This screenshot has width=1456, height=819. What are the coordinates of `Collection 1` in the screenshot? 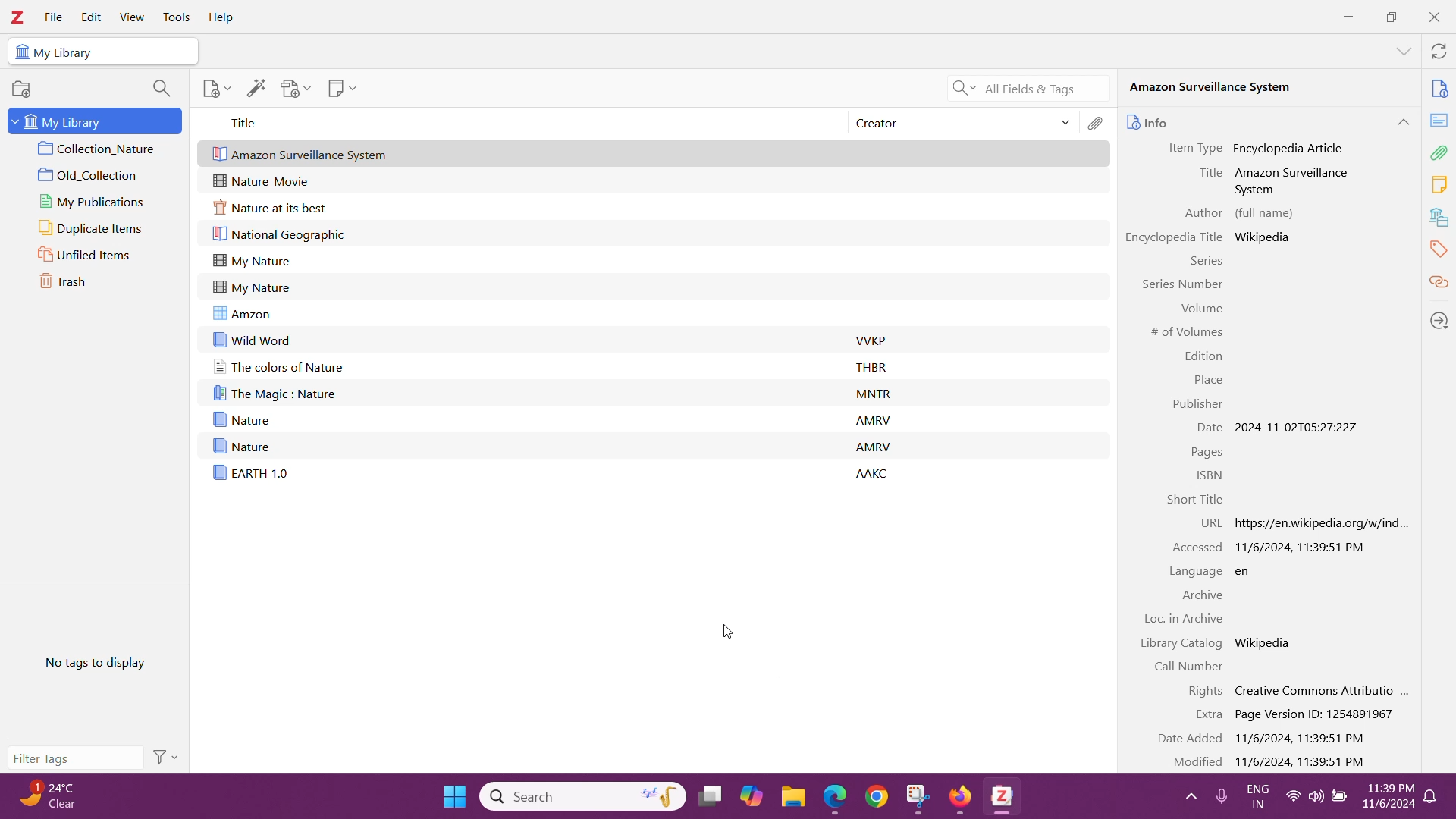 It's located at (106, 149).